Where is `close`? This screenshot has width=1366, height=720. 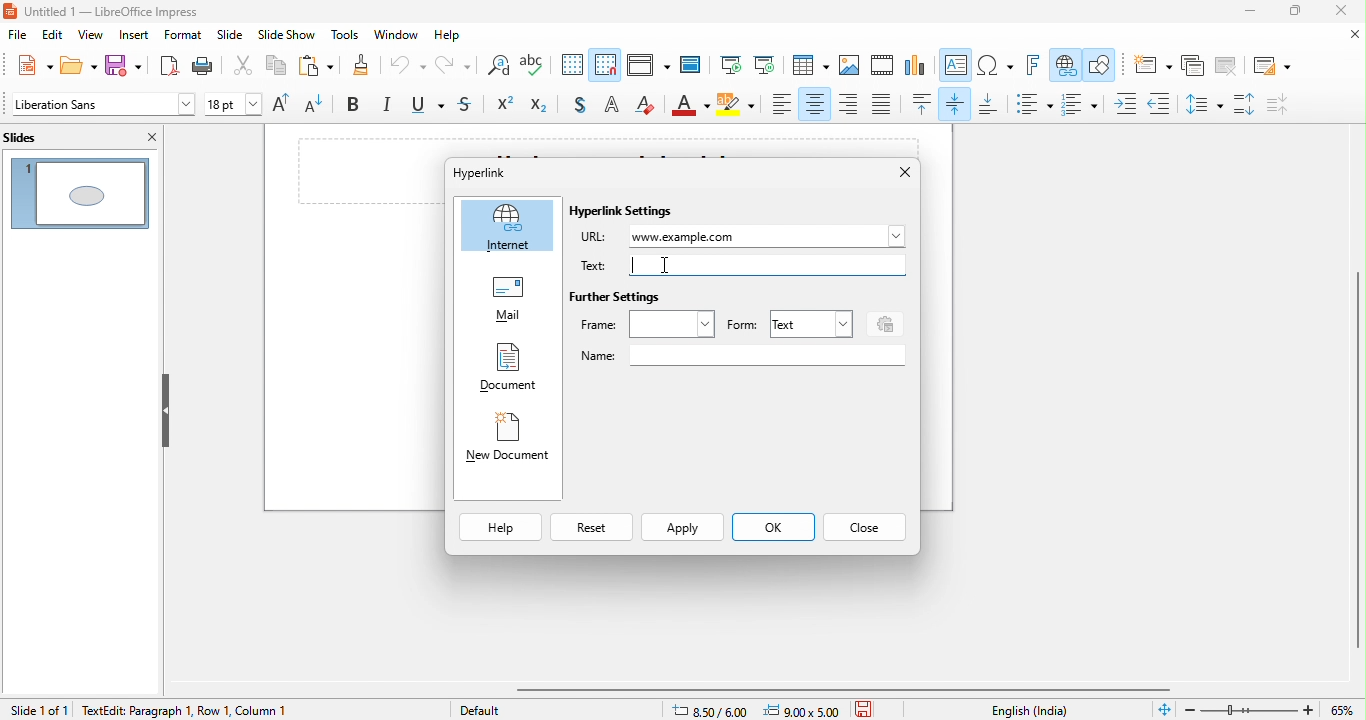 close is located at coordinates (896, 173).